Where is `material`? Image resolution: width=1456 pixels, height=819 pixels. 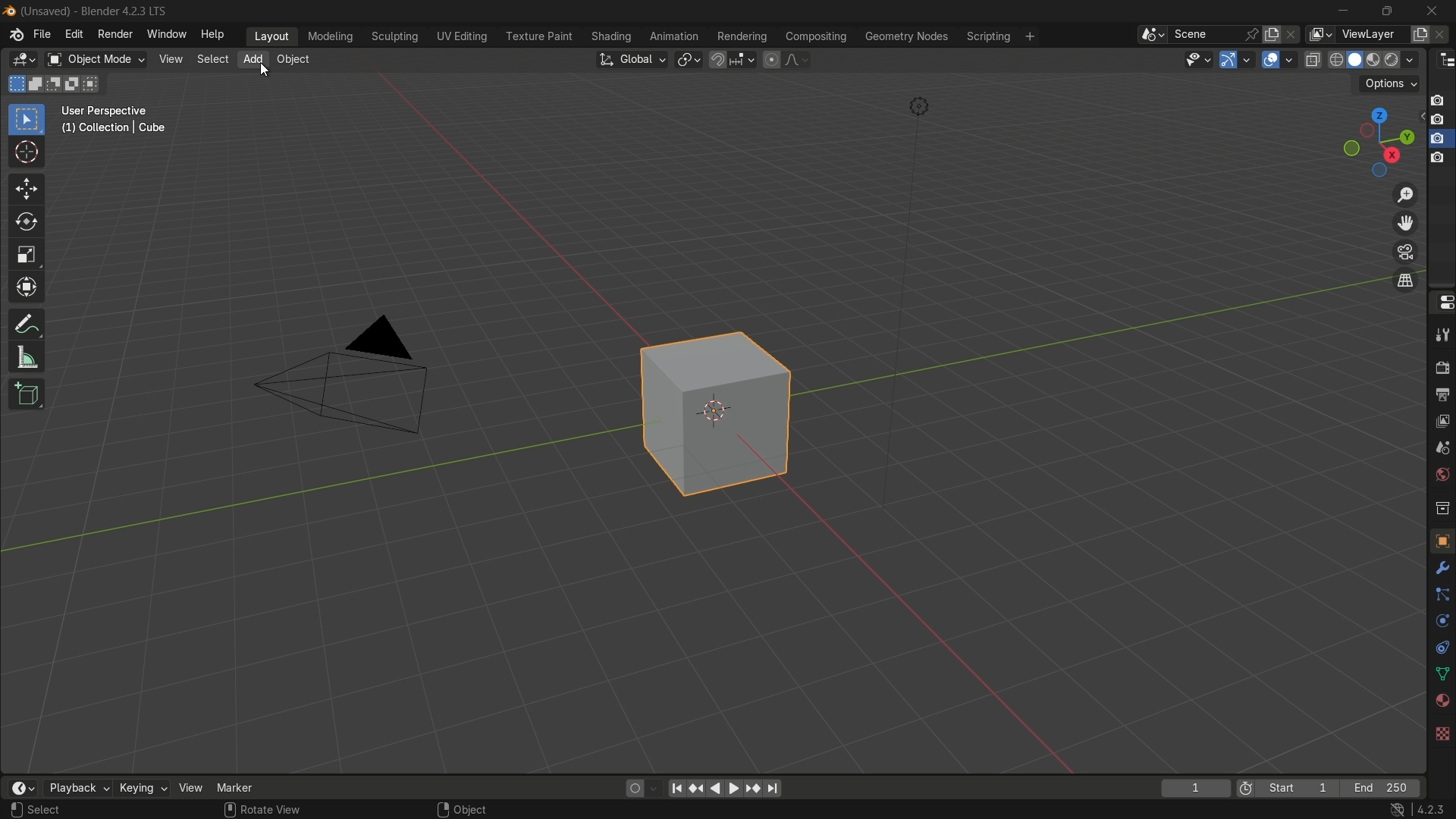 material is located at coordinates (1442, 699).